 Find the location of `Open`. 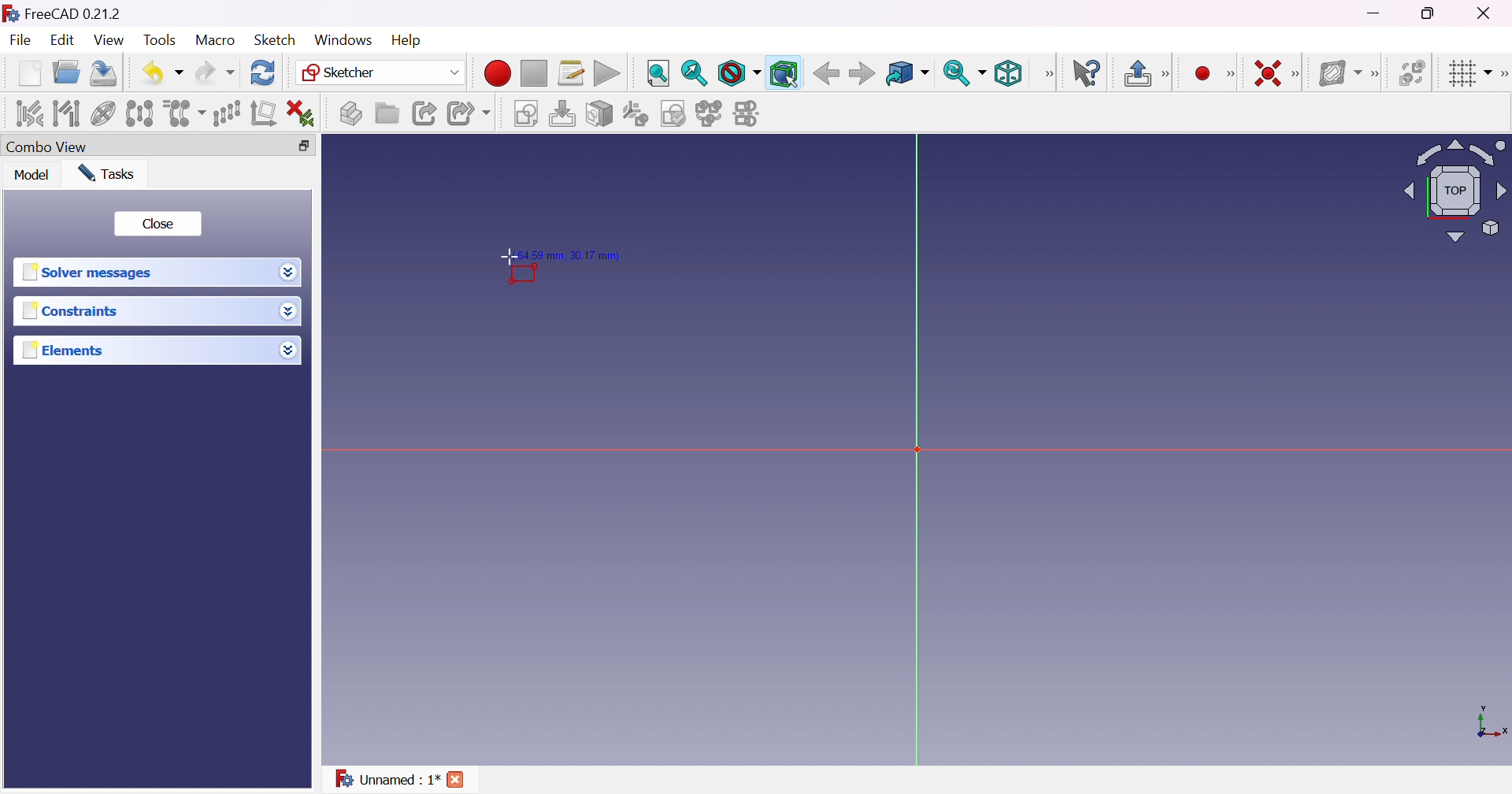

Open is located at coordinates (67, 72).